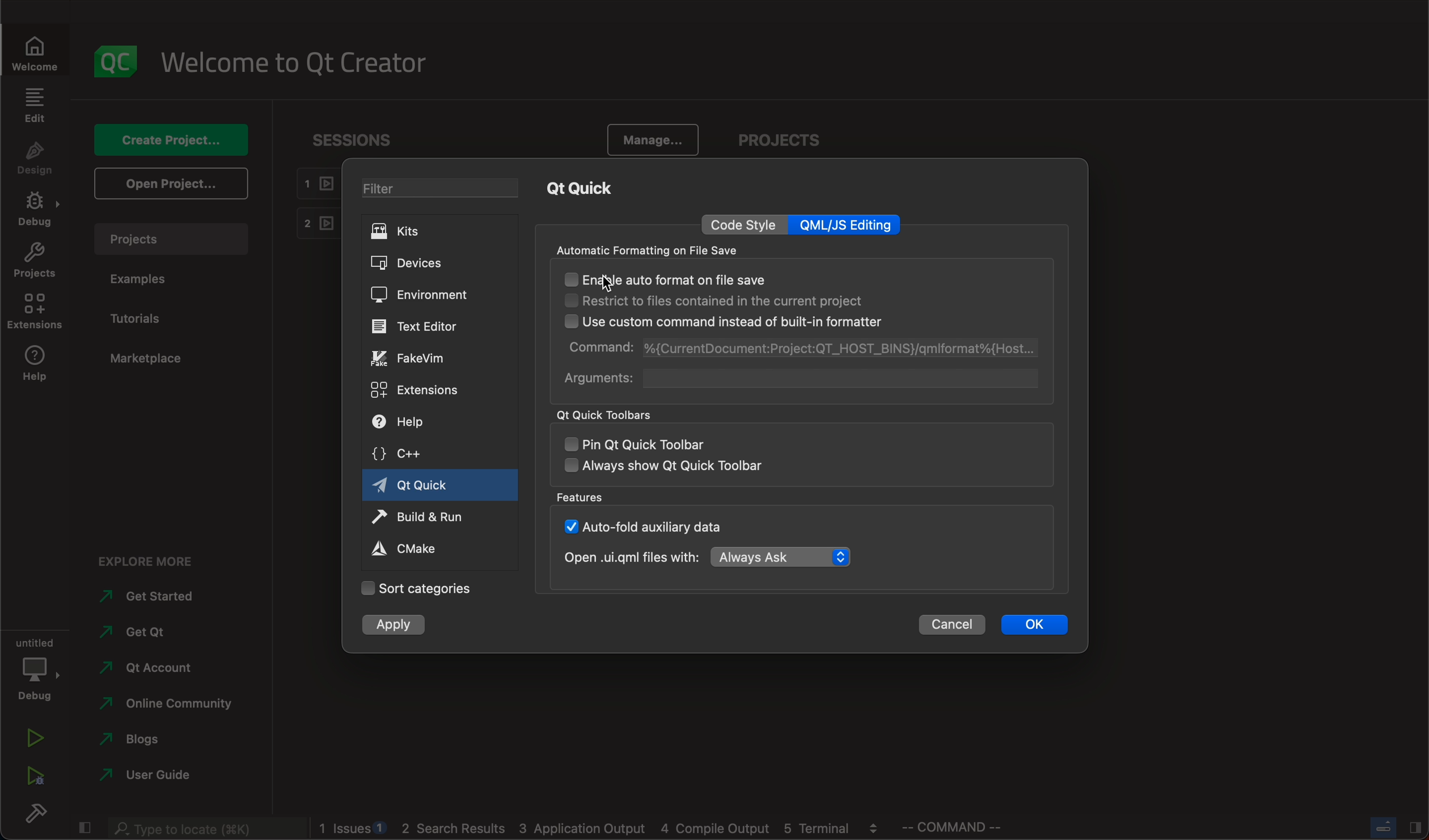  What do you see at coordinates (418, 519) in the screenshot?
I see `run` at bounding box center [418, 519].